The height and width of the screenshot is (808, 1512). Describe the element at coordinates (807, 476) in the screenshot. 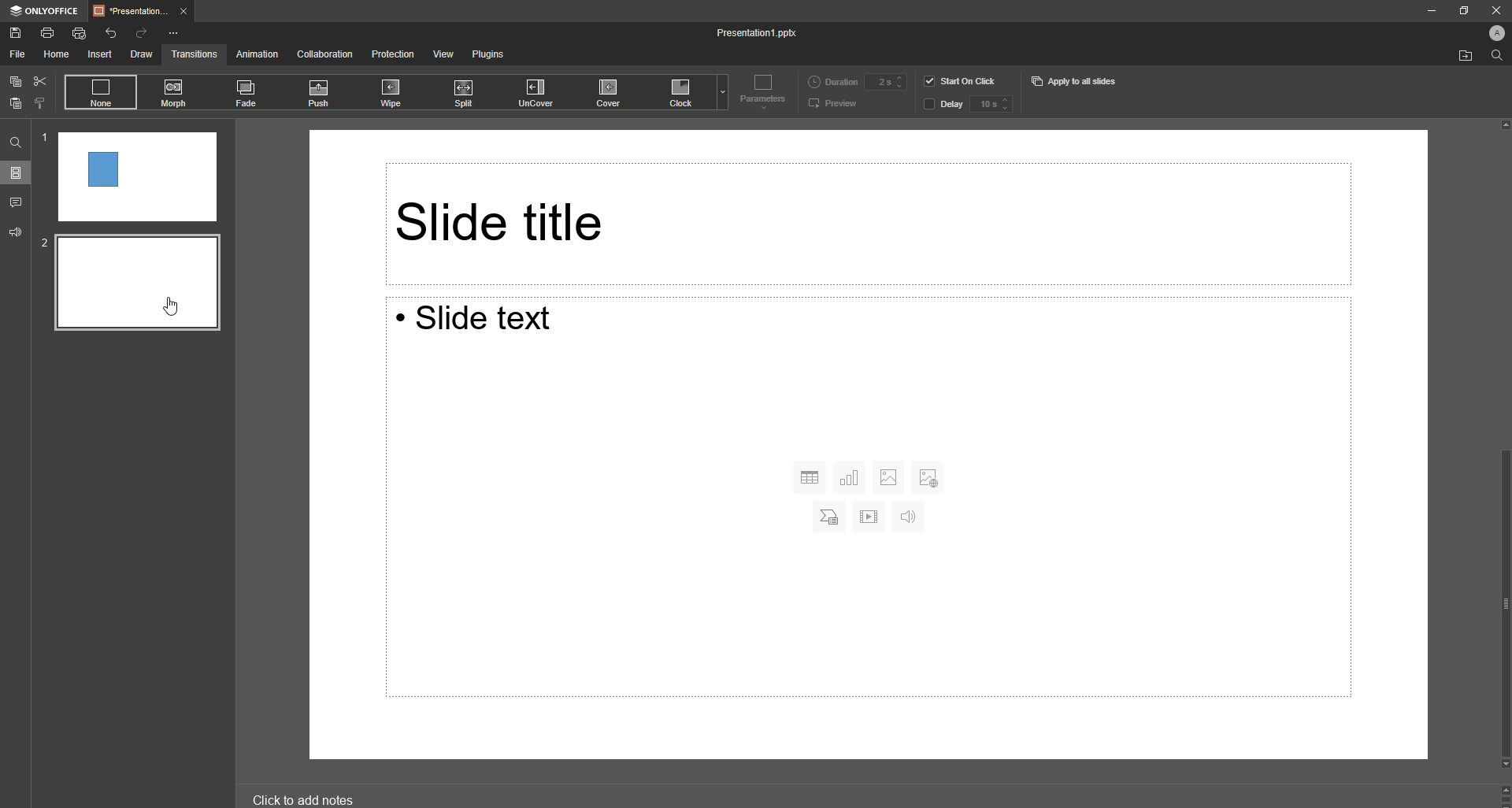

I see `Grid` at that location.